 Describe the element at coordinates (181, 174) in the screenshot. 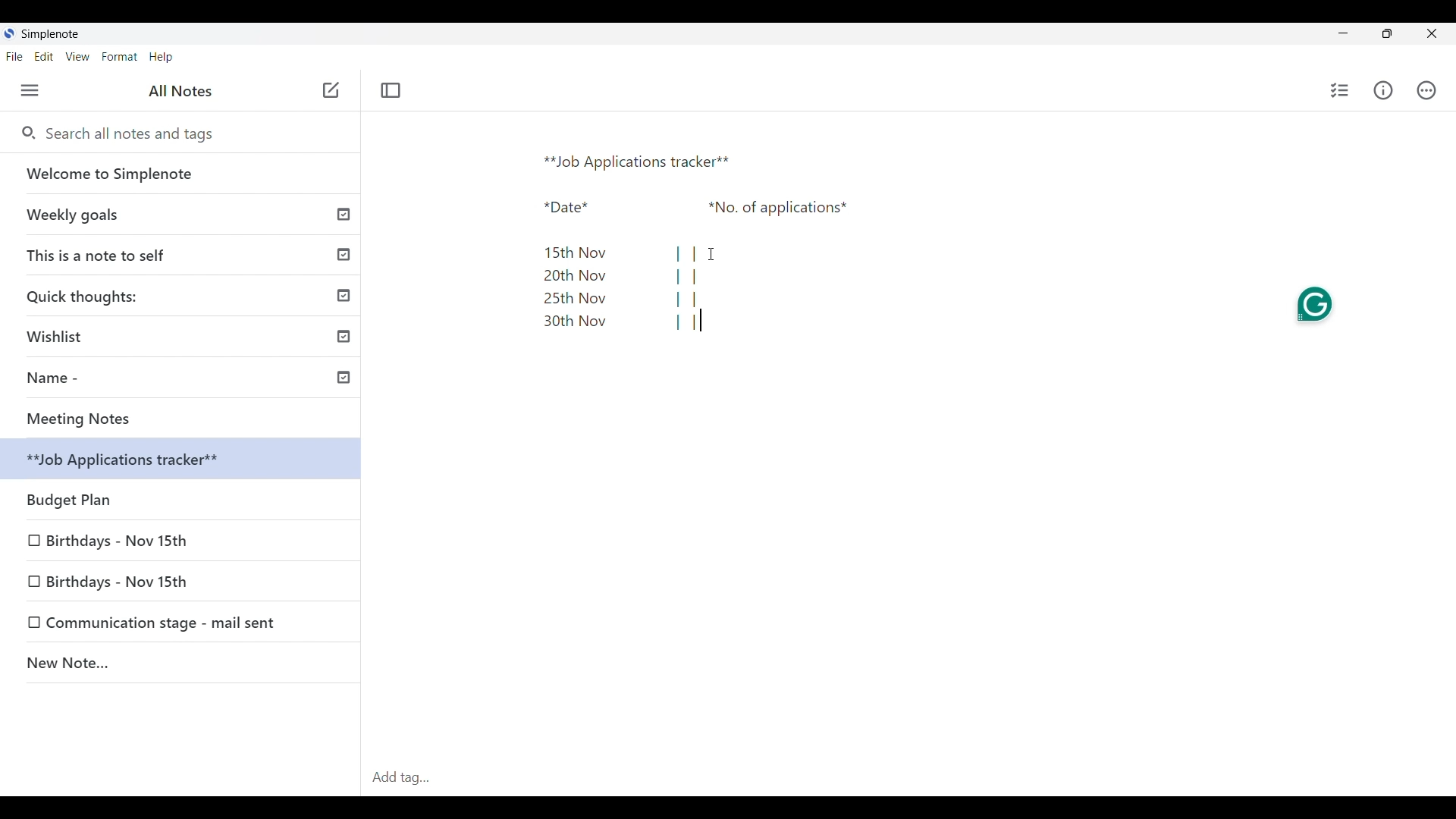

I see `Welcome to Simplenote` at that location.